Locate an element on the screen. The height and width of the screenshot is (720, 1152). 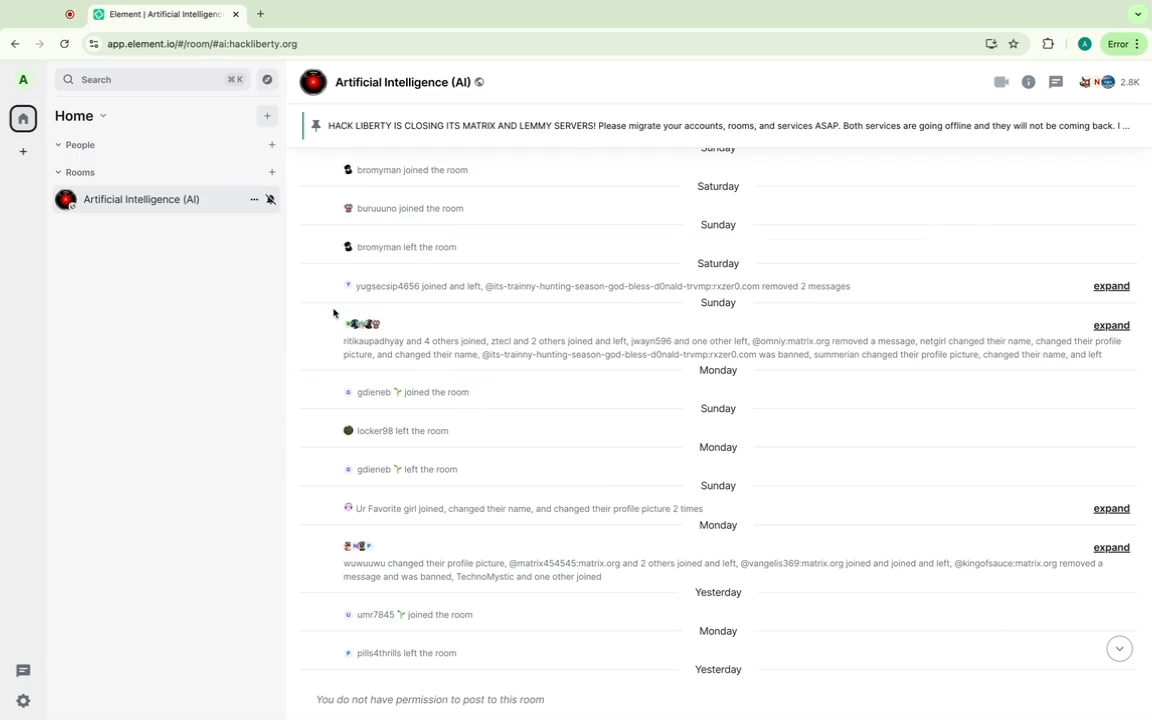
Match default setting is located at coordinates (397, 247).